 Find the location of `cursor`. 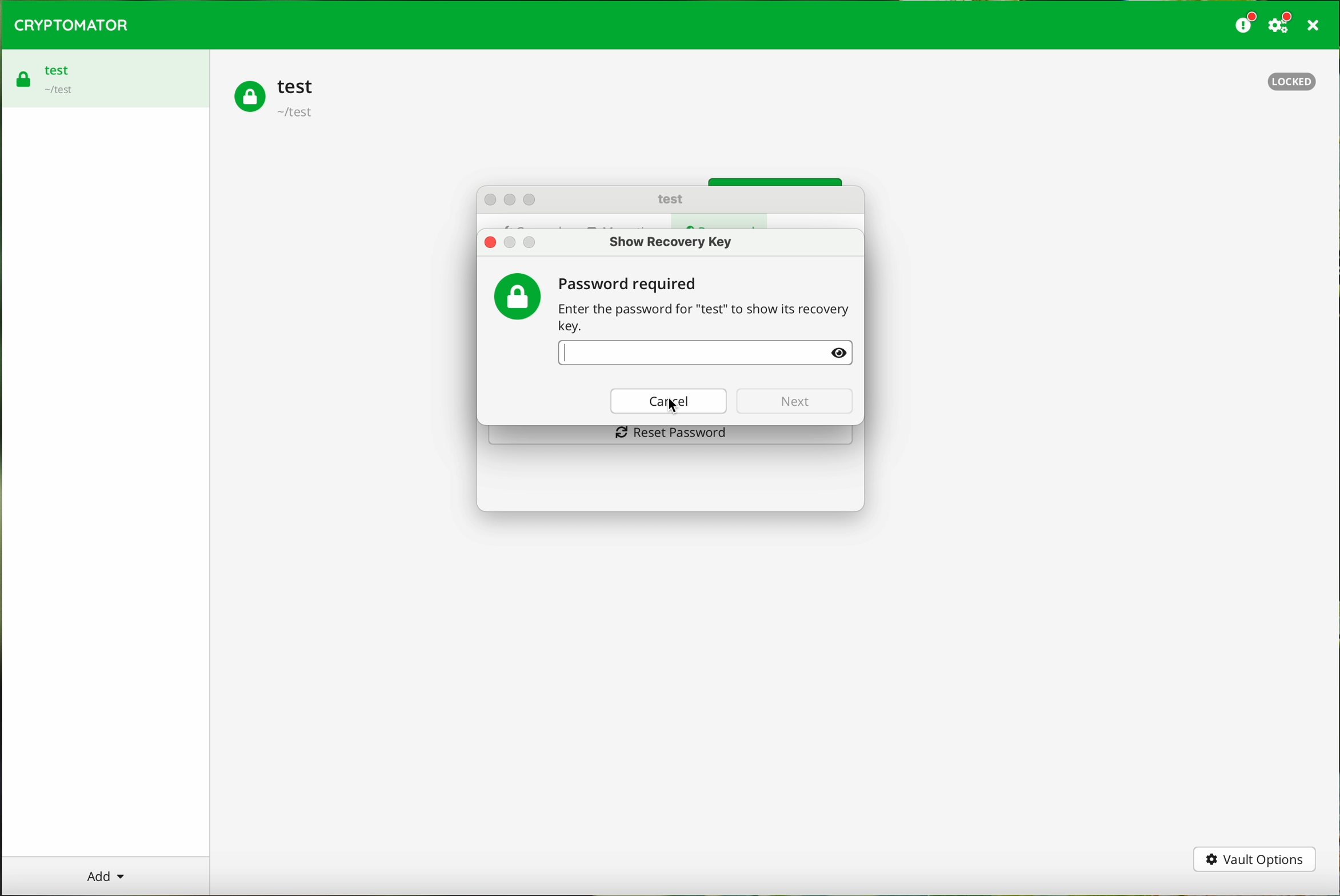

cursor is located at coordinates (677, 406).